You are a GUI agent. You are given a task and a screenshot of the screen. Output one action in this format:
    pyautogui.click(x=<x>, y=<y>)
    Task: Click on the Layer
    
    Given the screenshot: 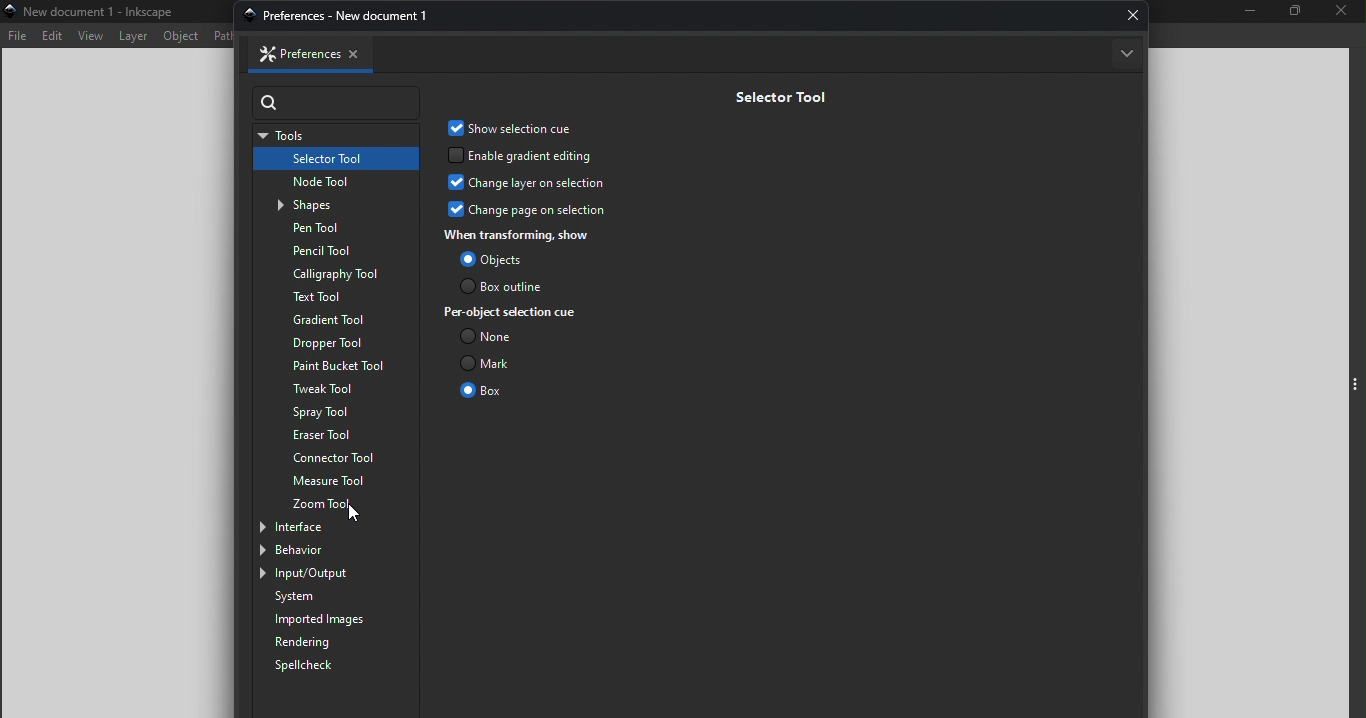 What is the action you would take?
    pyautogui.click(x=131, y=38)
    